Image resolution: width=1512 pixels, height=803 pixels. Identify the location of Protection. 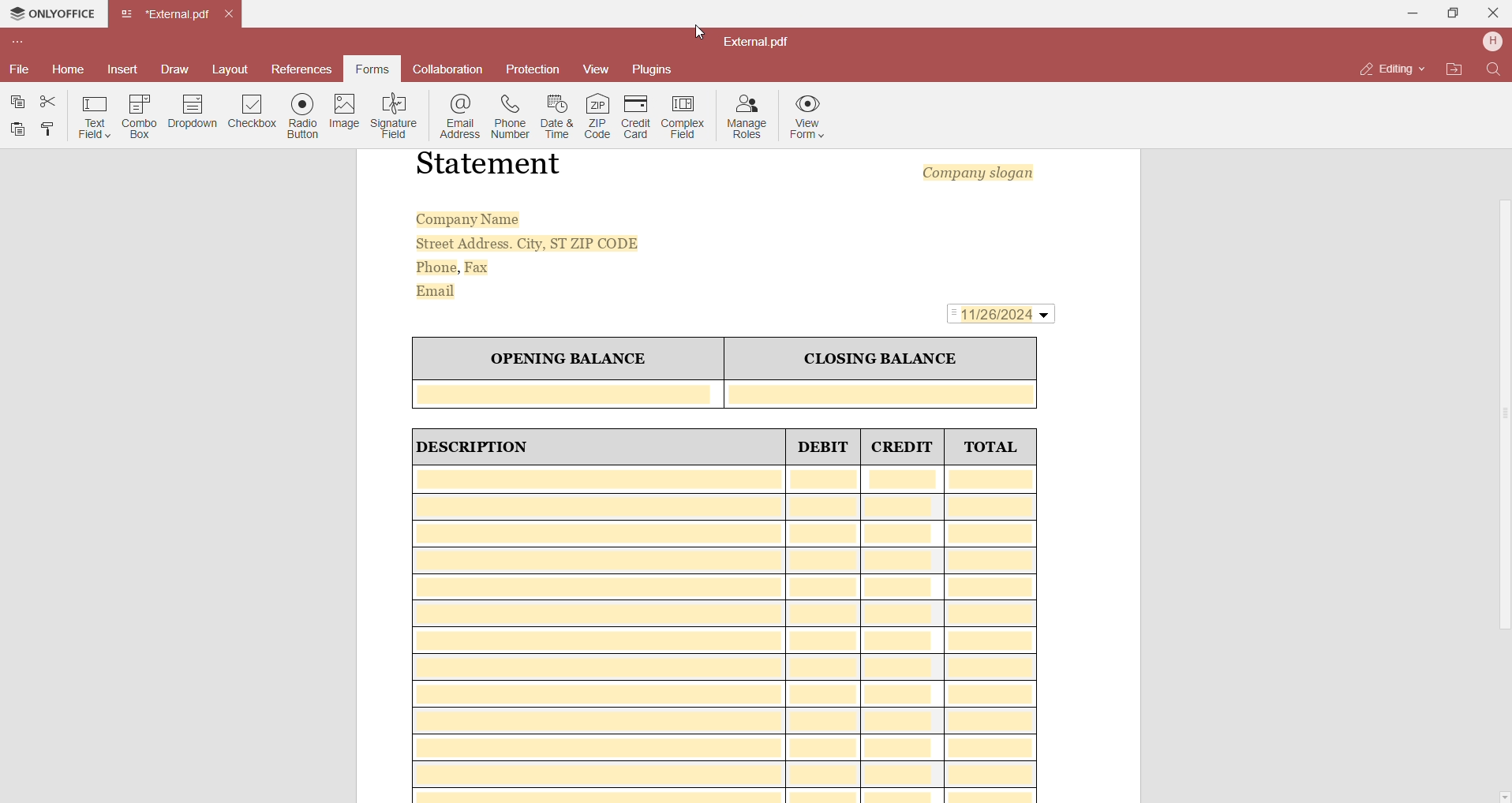
(533, 71).